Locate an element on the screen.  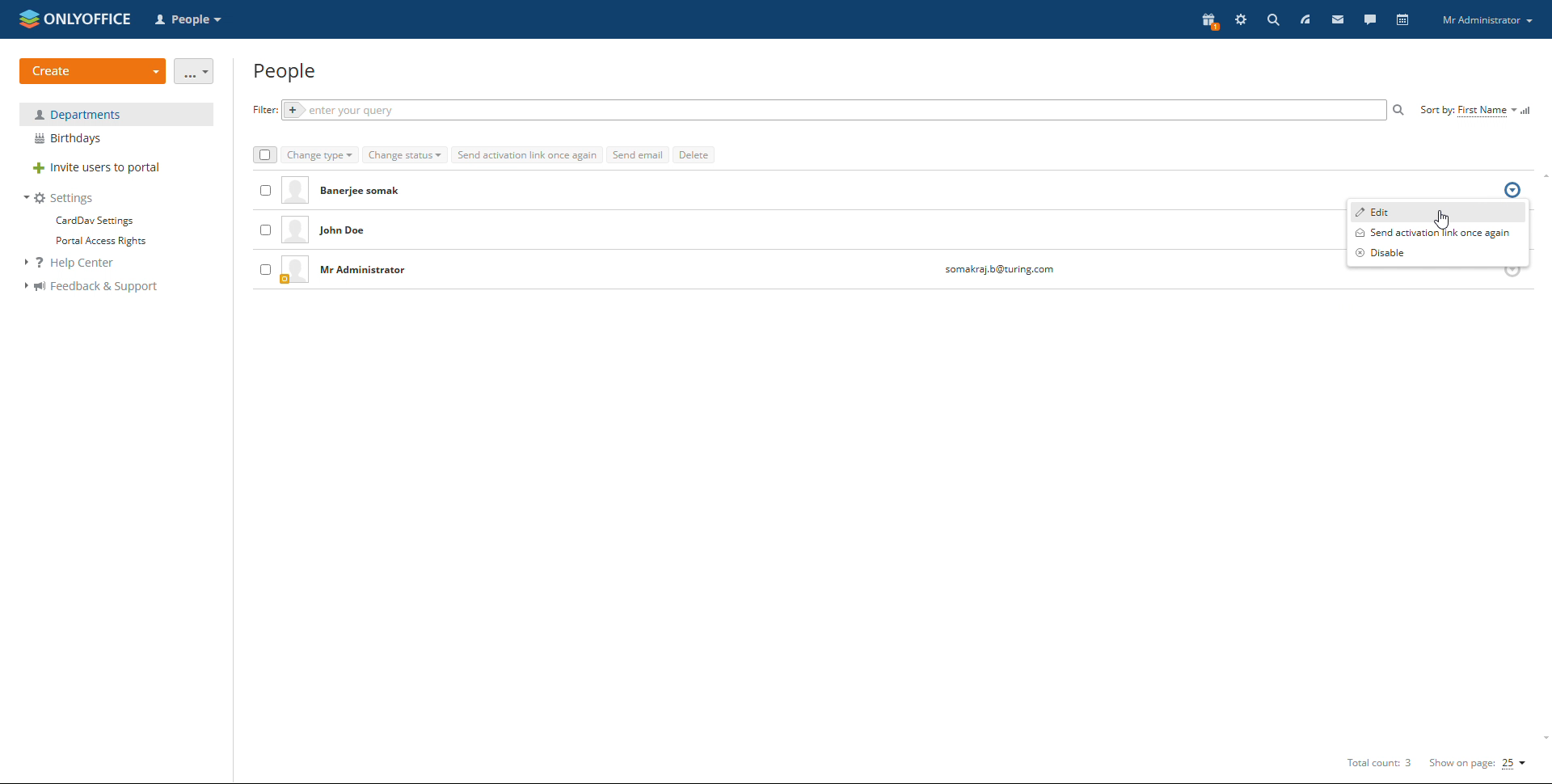
department is located at coordinates (116, 114).